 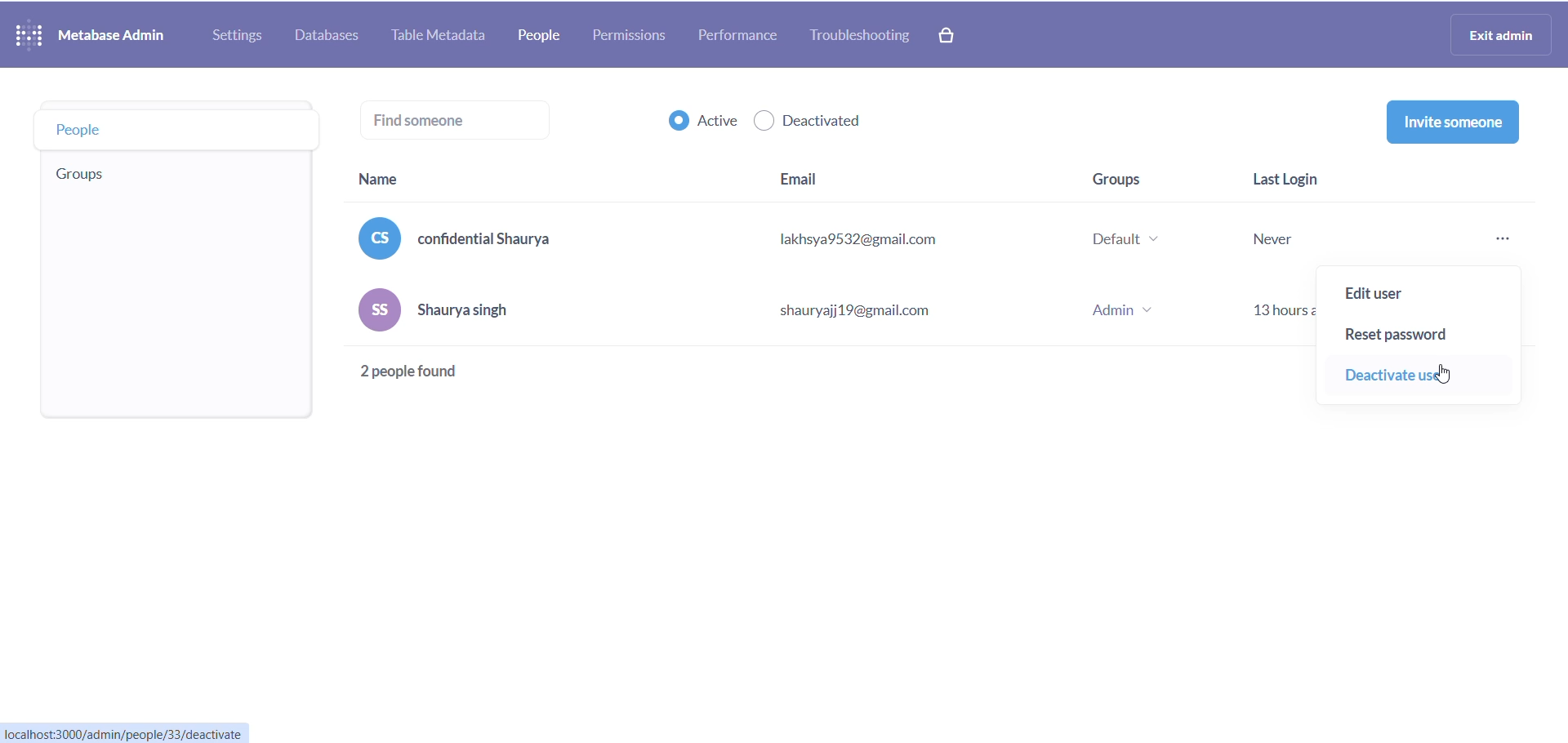 What do you see at coordinates (449, 242) in the screenshot?
I see `name ` at bounding box center [449, 242].